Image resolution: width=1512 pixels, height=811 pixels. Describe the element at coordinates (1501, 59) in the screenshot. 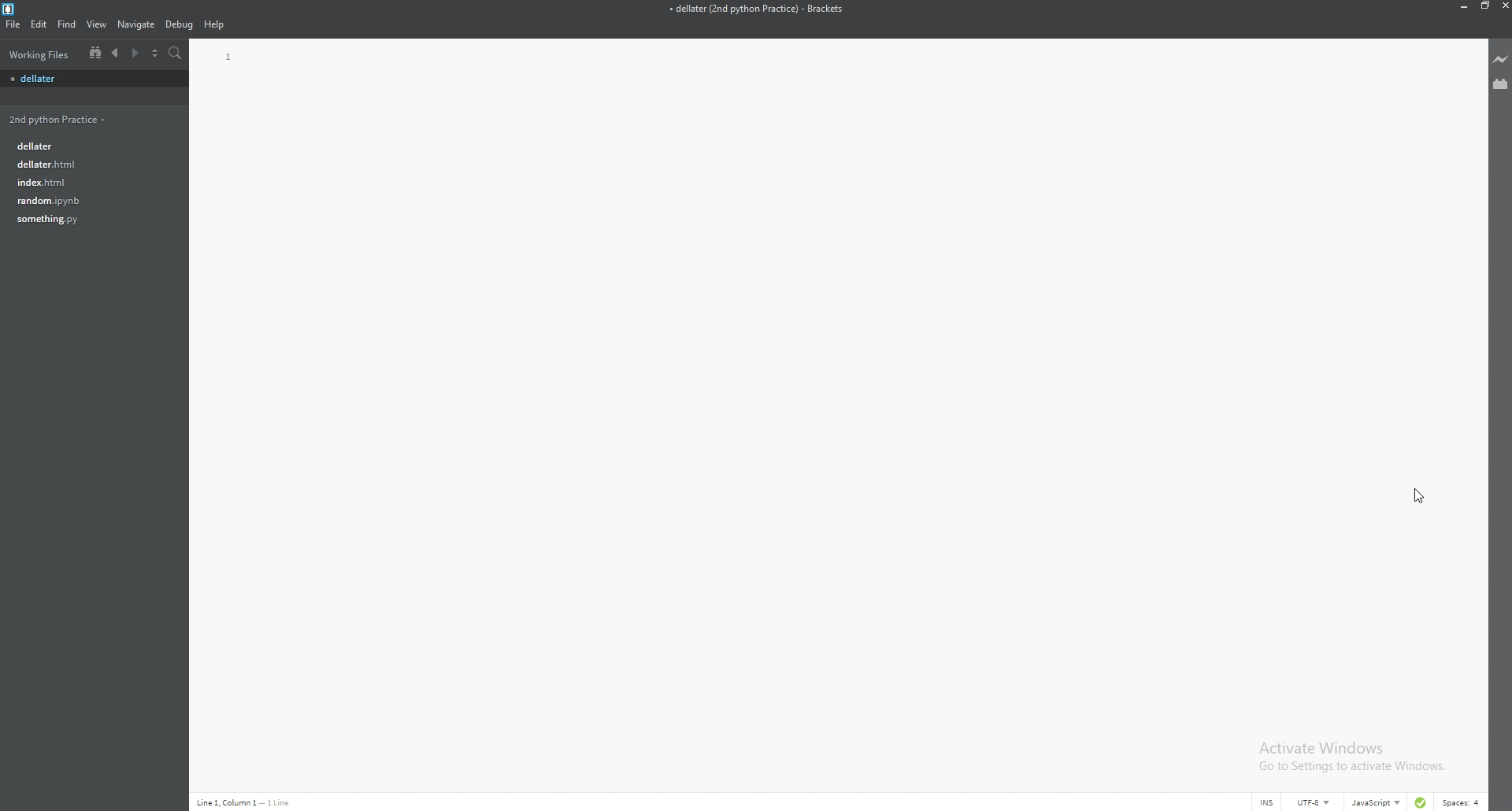

I see `live preview` at that location.